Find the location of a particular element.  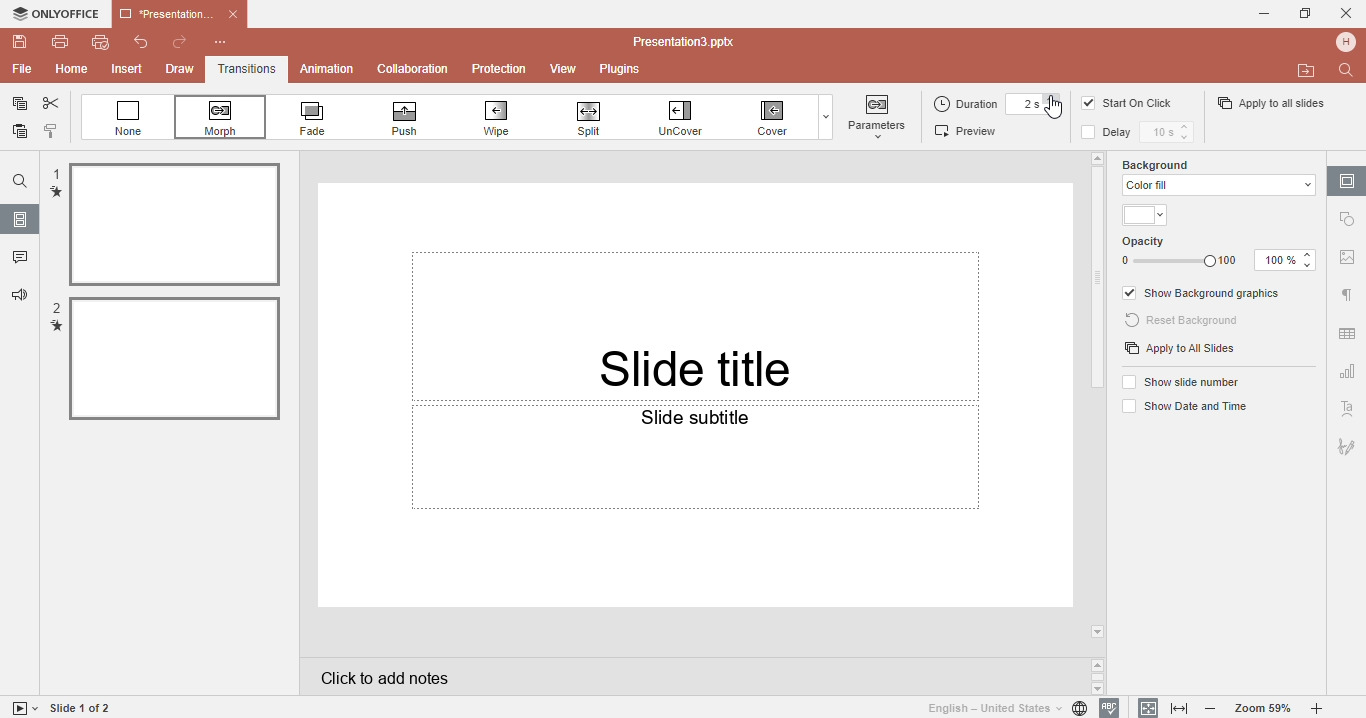

Text art setting is located at coordinates (1347, 408).